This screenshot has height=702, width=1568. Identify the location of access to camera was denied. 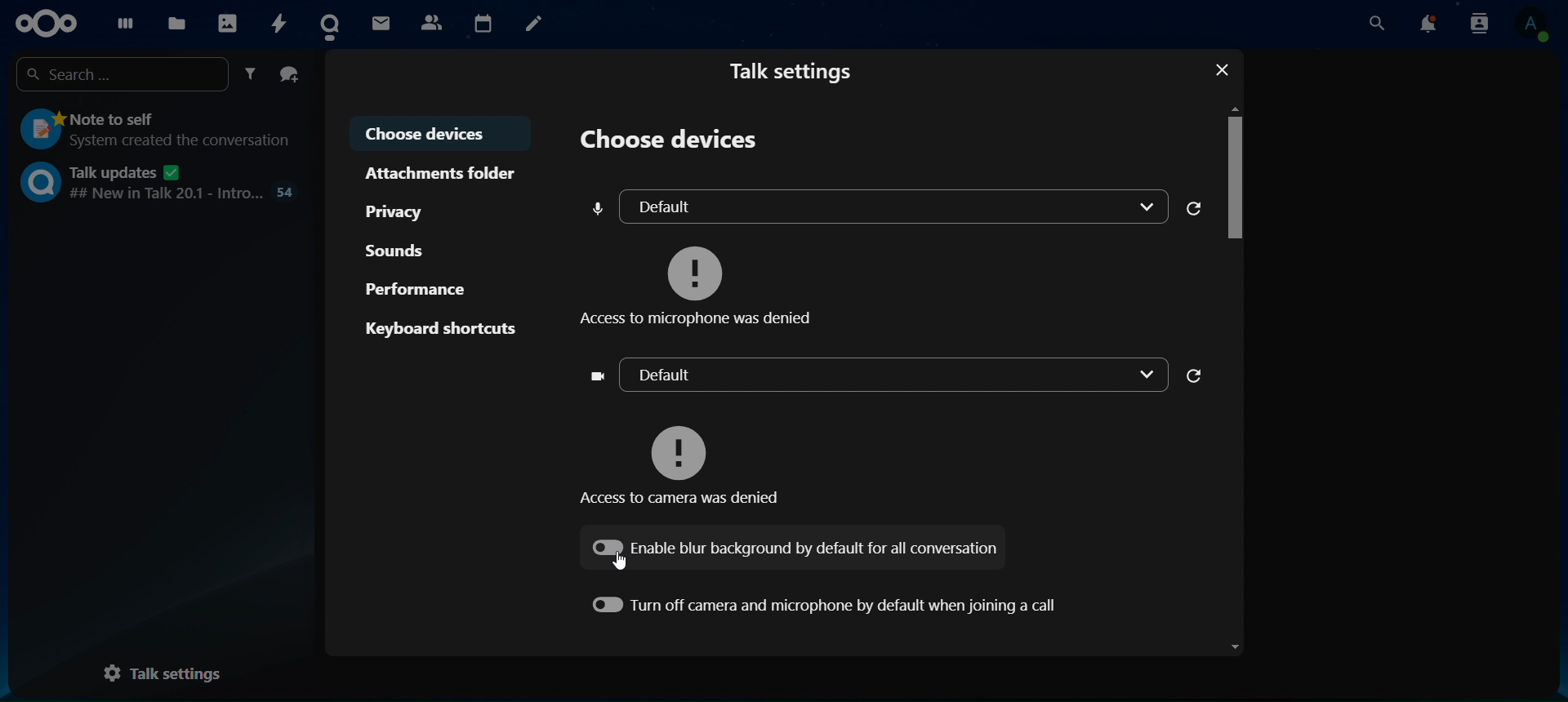
(686, 455).